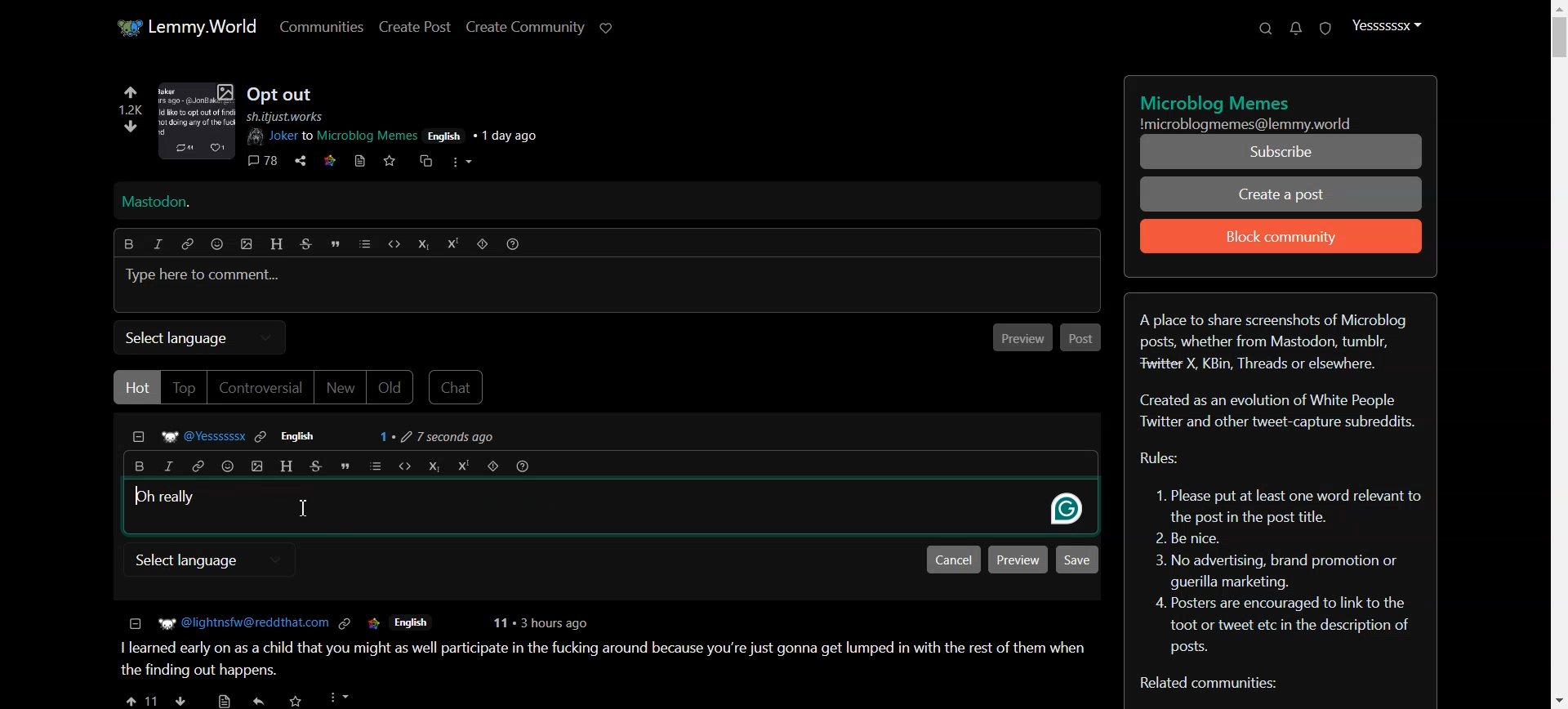 The height and width of the screenshot is (709, 1568). What do you see at coordinates (136, 386) in the screenshot?
I see `Hot` at bounding box center [136, 386].